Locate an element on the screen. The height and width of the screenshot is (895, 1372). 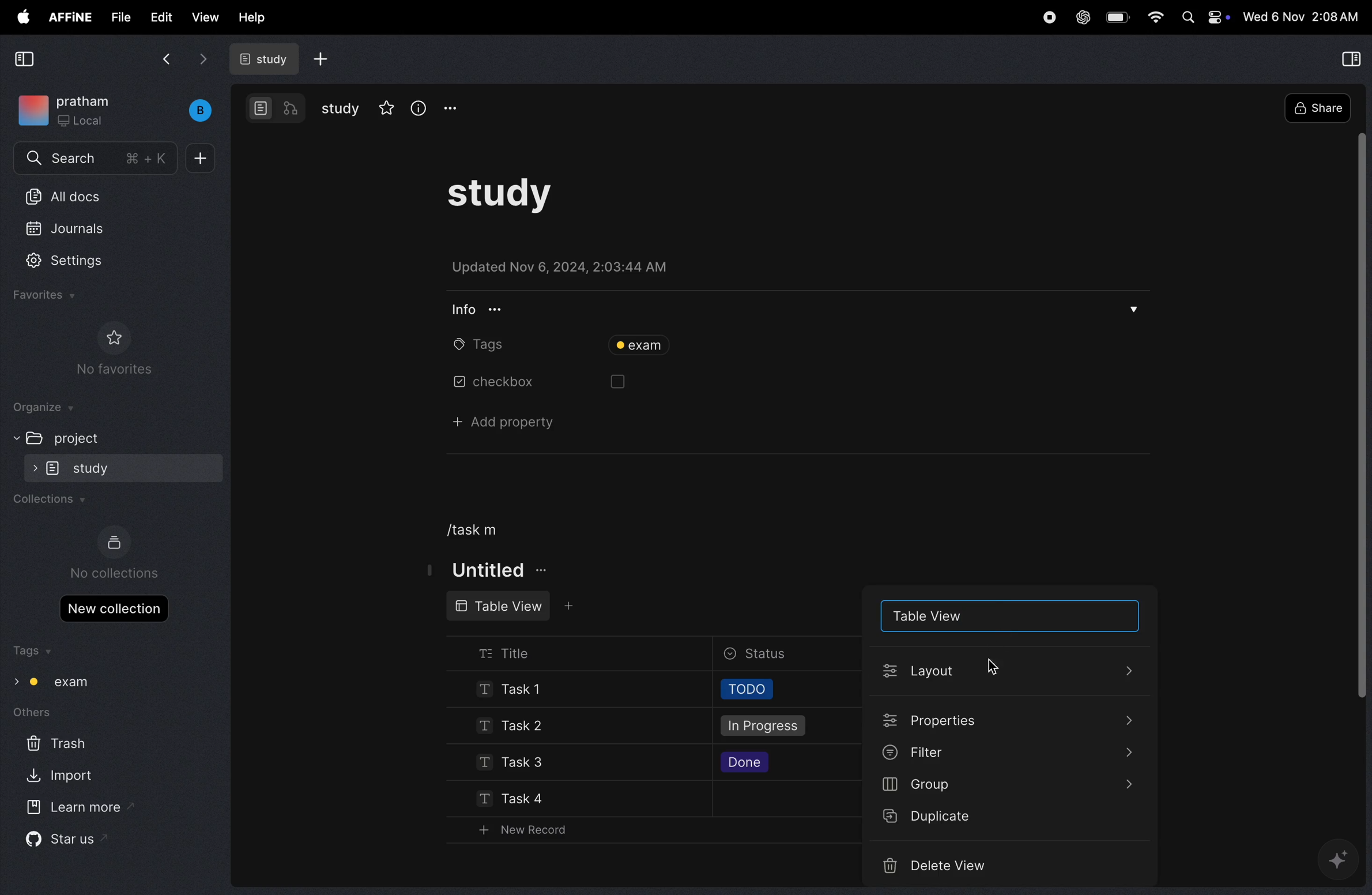
study doc is located at coordinates (269, 60).